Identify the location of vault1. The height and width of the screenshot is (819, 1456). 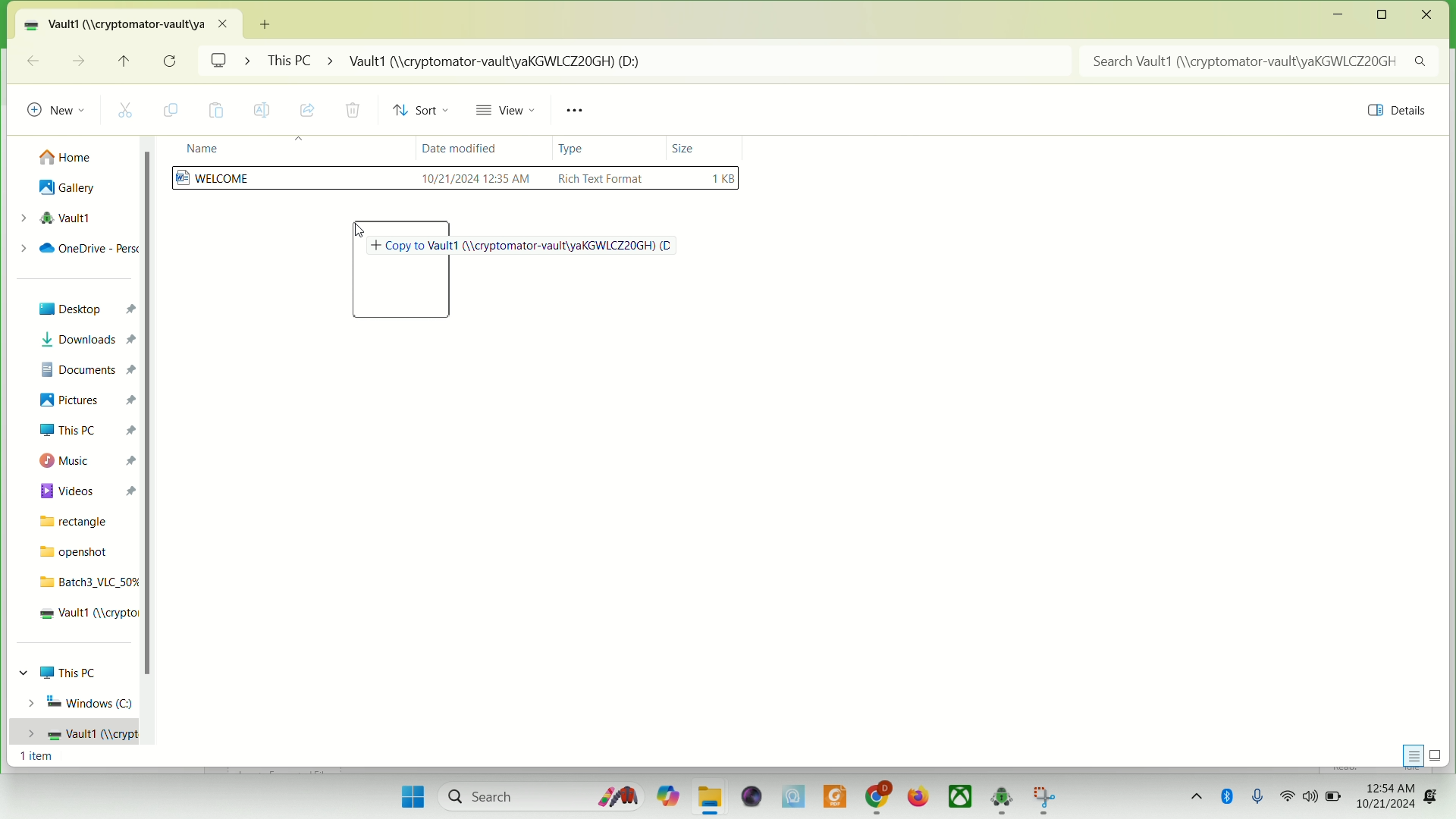
(72, 733).